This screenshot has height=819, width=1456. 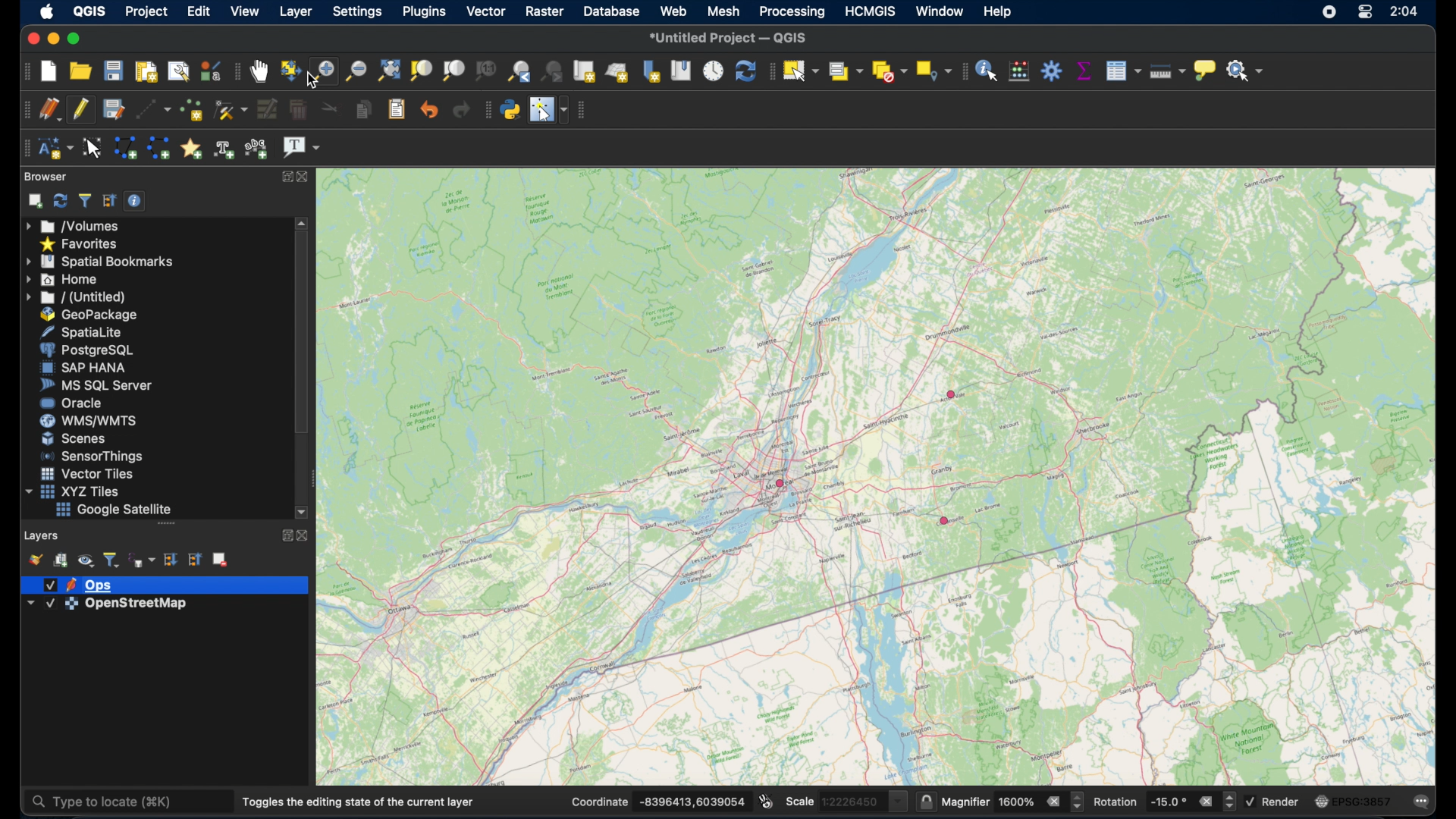 I want to click on map navigation toolbar, so click(x=236, y=72).